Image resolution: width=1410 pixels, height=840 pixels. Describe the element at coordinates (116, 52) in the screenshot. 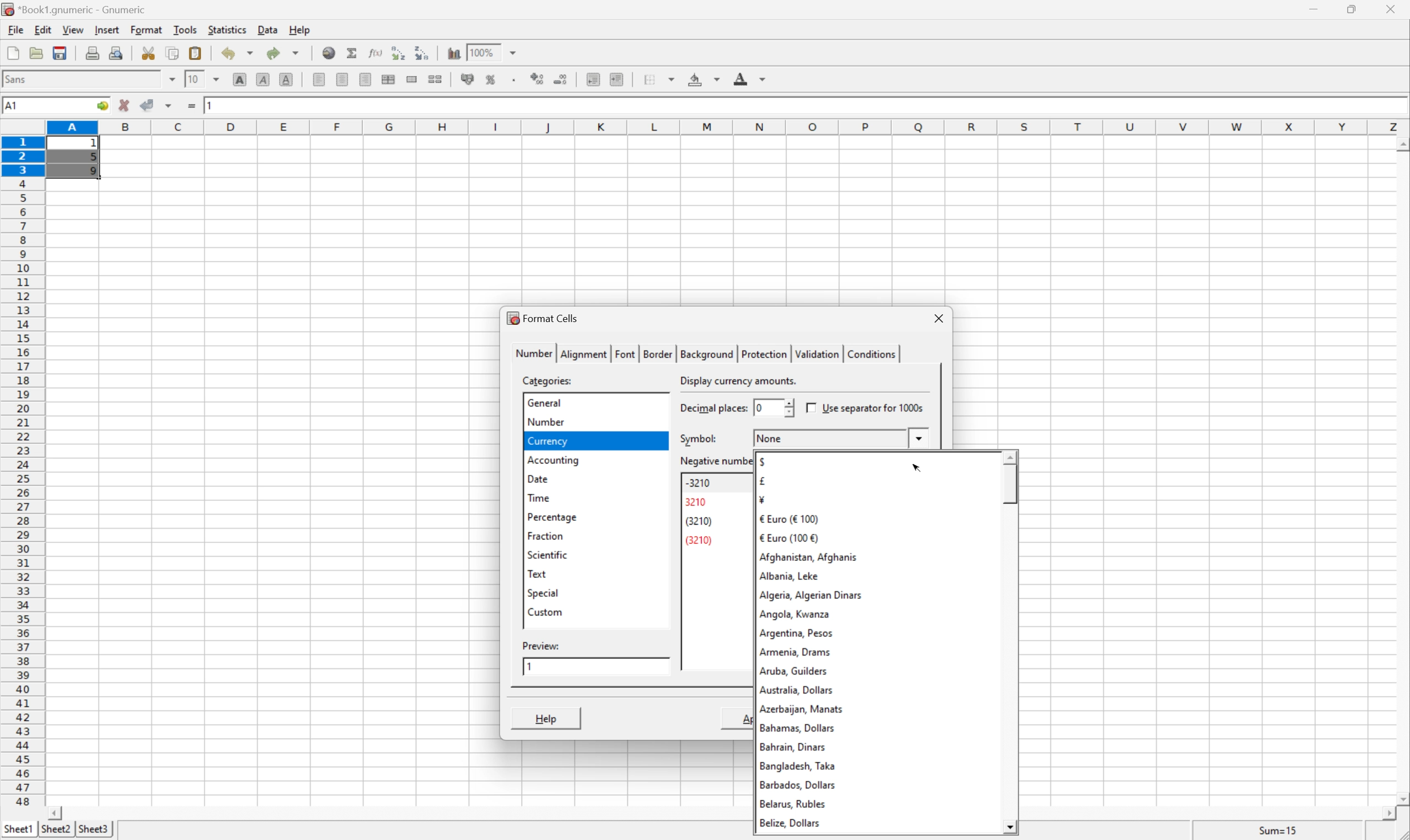

I see `print preview` at that location.